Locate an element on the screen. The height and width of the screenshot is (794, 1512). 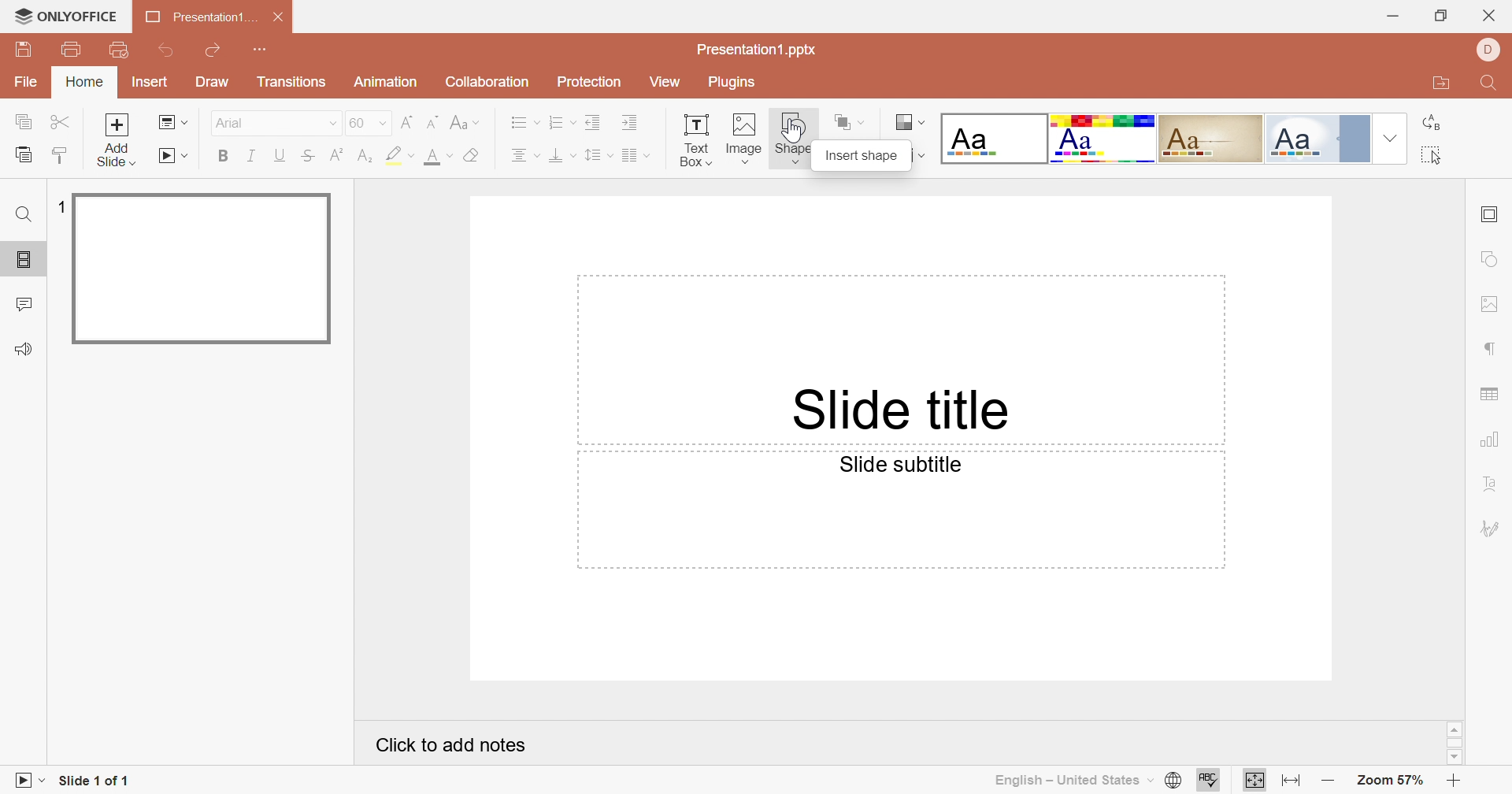
Arrange slides is located at coordinates (850, 123).